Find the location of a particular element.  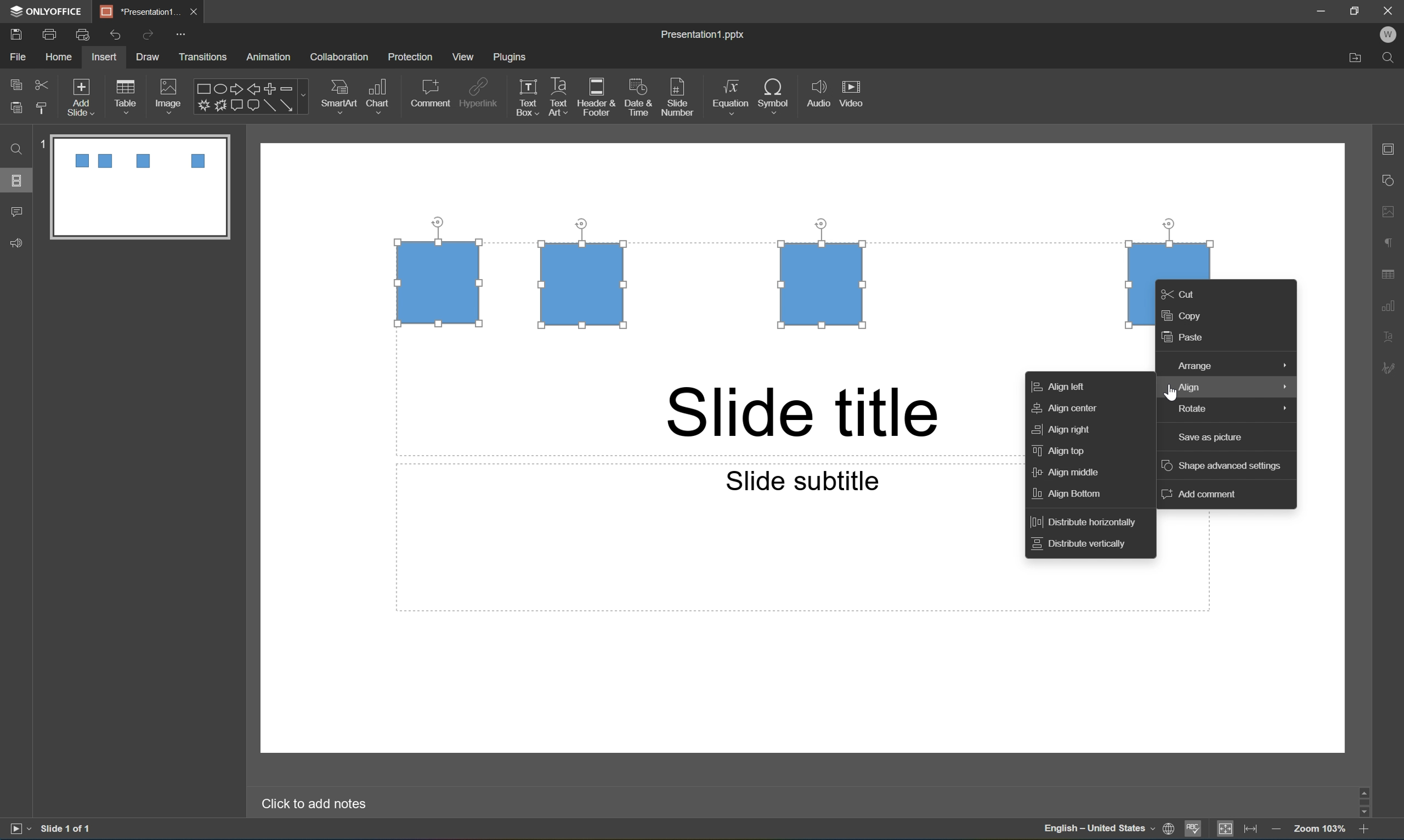

smart art is located at coordinates (335, 94).